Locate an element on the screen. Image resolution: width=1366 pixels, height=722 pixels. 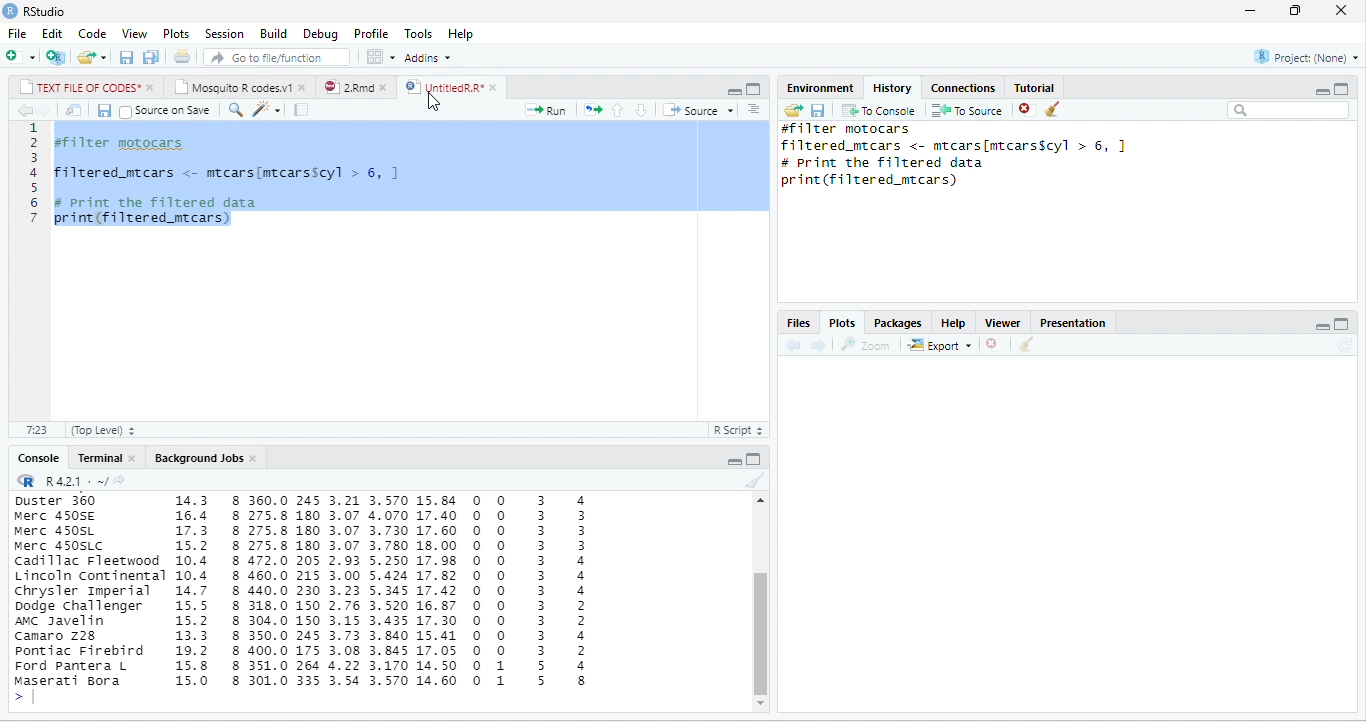
search bar is located at coordinates (1288, 110).